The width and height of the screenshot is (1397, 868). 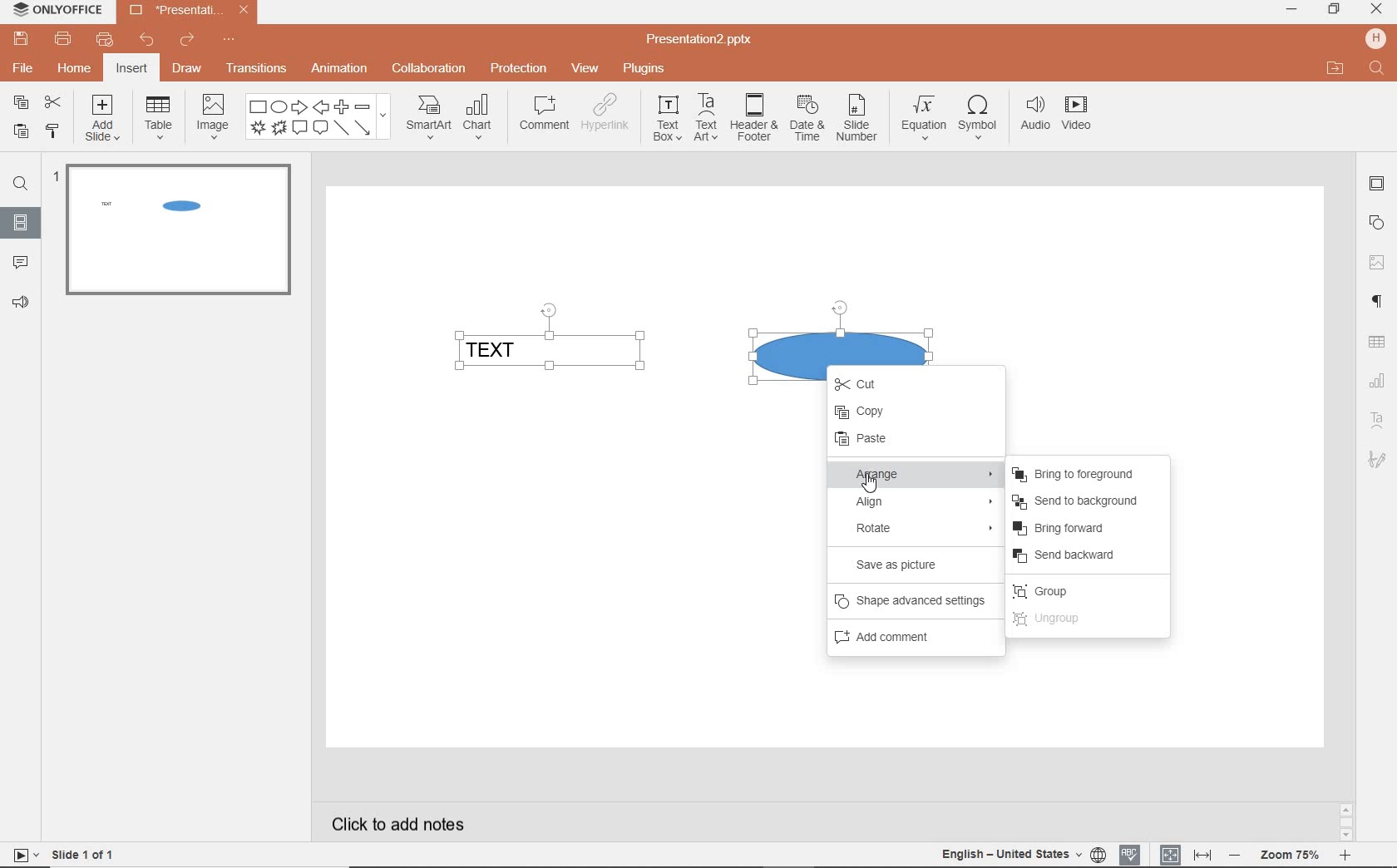 What do you see at coordinates (21, 102) in the screenshot?
I see `copy` at bounding box center [21, 102].